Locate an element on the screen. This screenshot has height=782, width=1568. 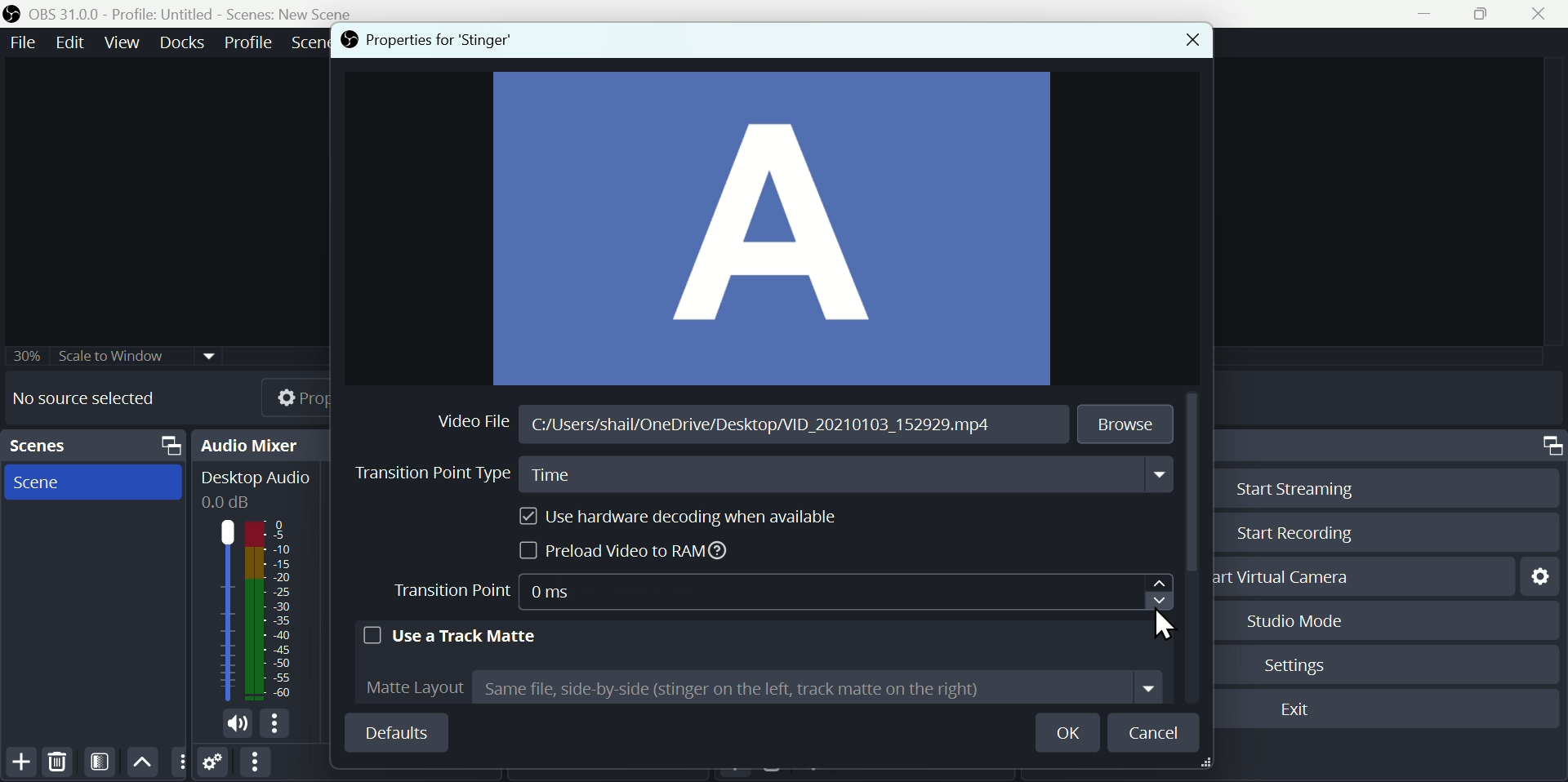
Controls is located at coordinates (1549, 446).